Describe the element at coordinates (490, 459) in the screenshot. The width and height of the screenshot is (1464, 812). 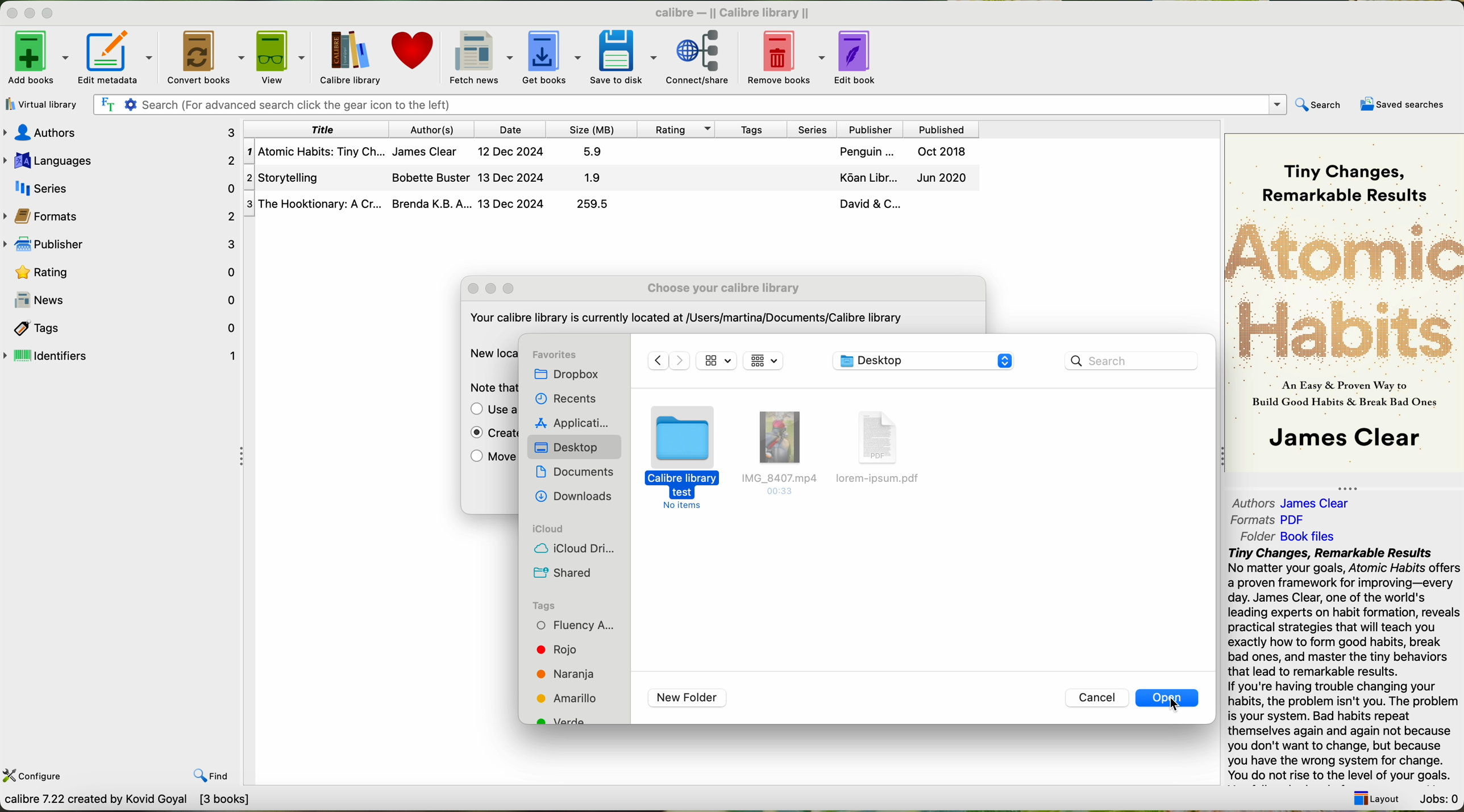
I see `move` at that location.